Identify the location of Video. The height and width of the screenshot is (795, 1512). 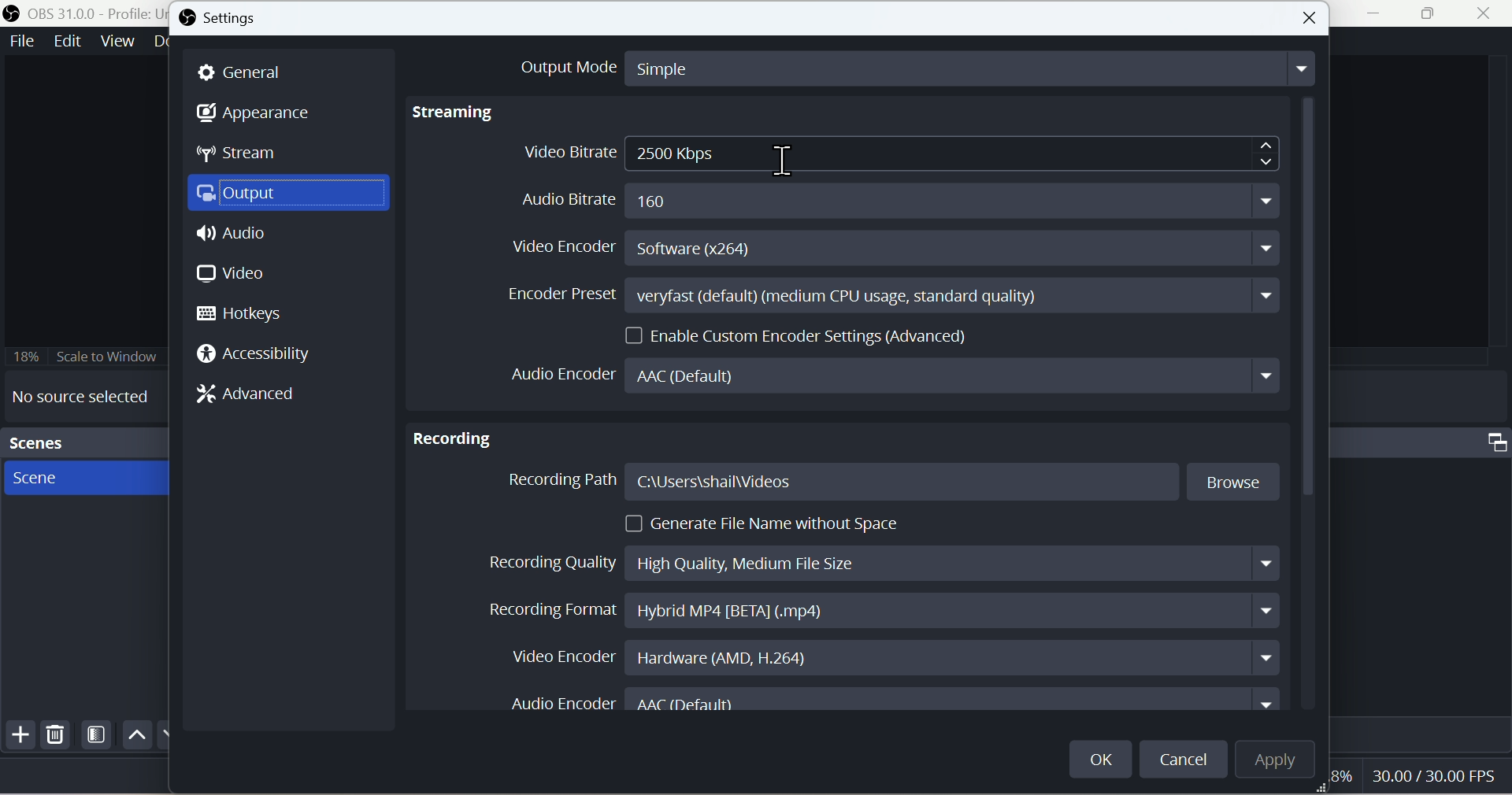
(232, 273).